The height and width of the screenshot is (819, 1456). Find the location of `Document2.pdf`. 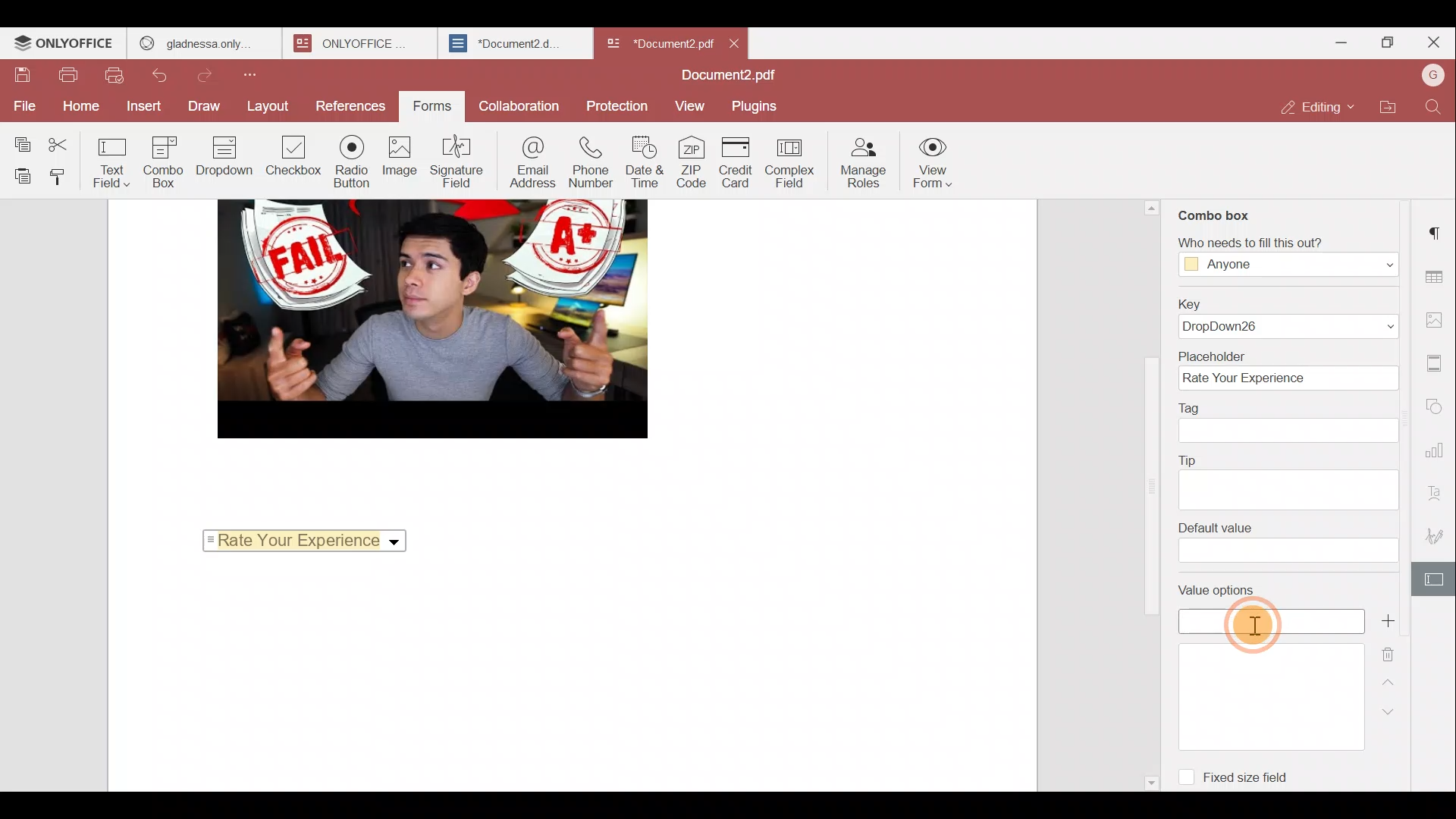

Document2.pdf is located at coordinates (728, 75).